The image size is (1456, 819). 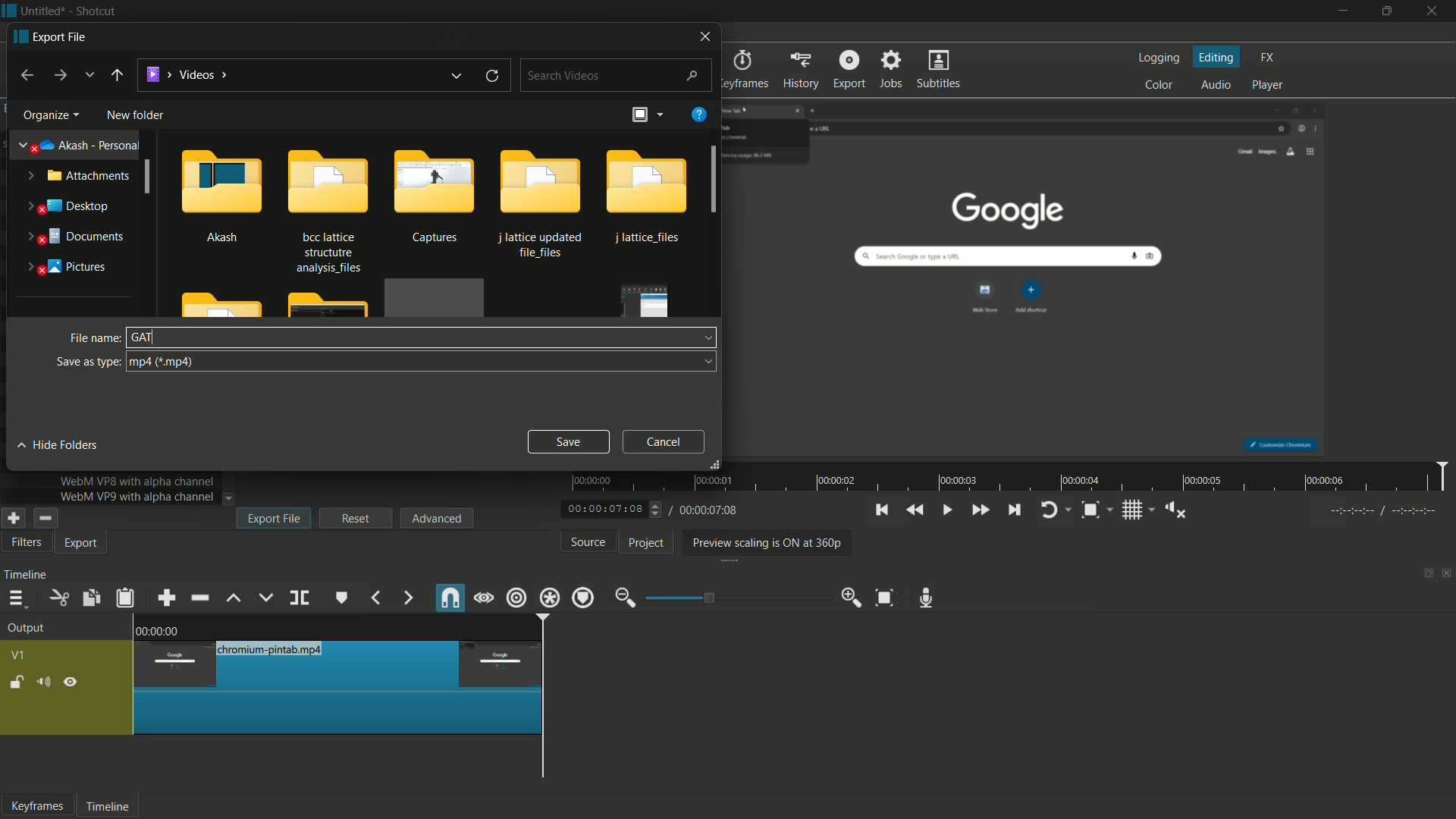 I want to click on toggle grid, so click(x=1134, y=510).